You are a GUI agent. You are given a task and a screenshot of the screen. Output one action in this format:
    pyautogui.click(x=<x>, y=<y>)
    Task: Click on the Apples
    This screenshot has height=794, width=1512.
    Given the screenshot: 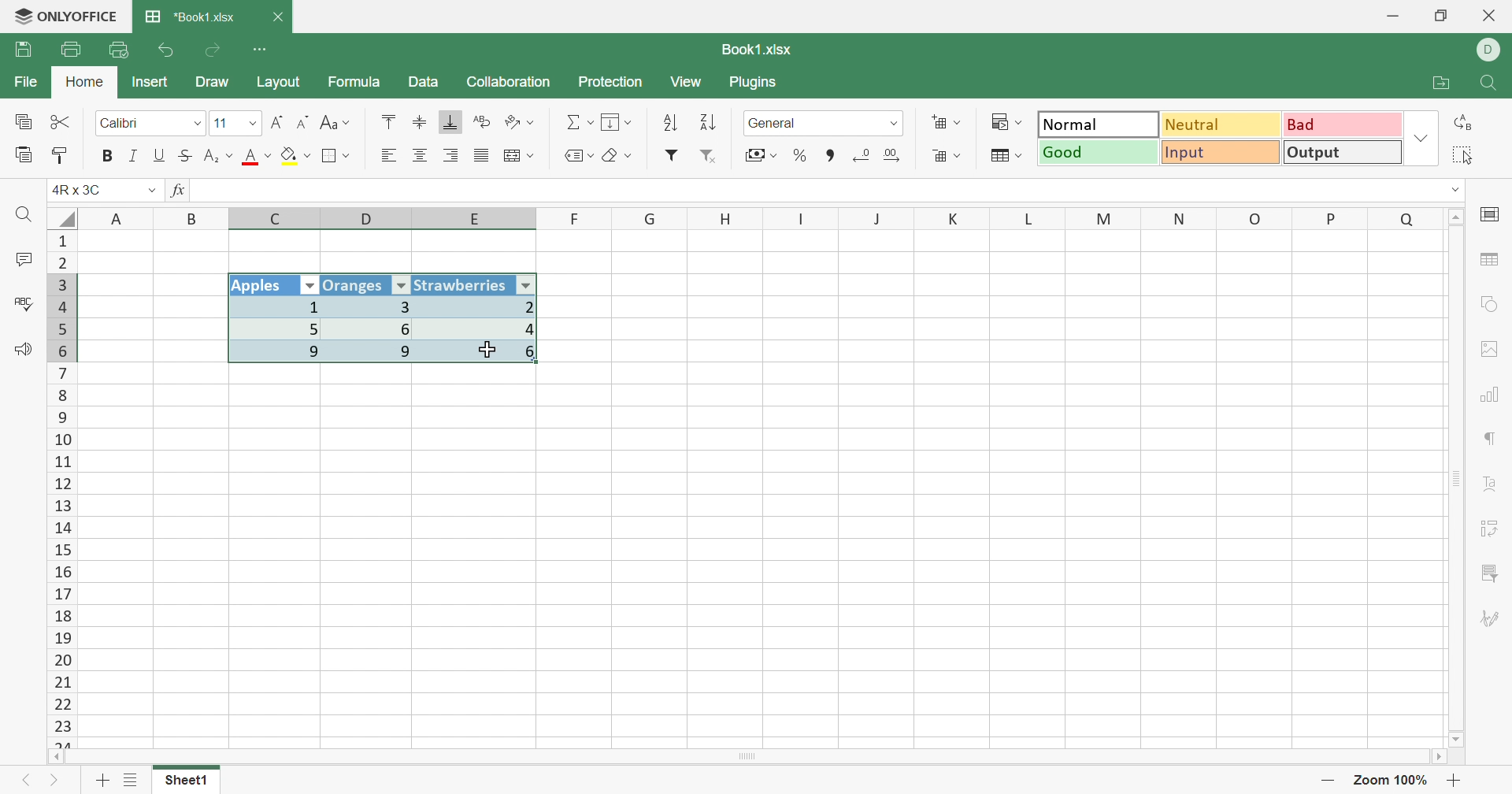 What is the action you would take?
    pyautogui.click(x=262, y=286)
    